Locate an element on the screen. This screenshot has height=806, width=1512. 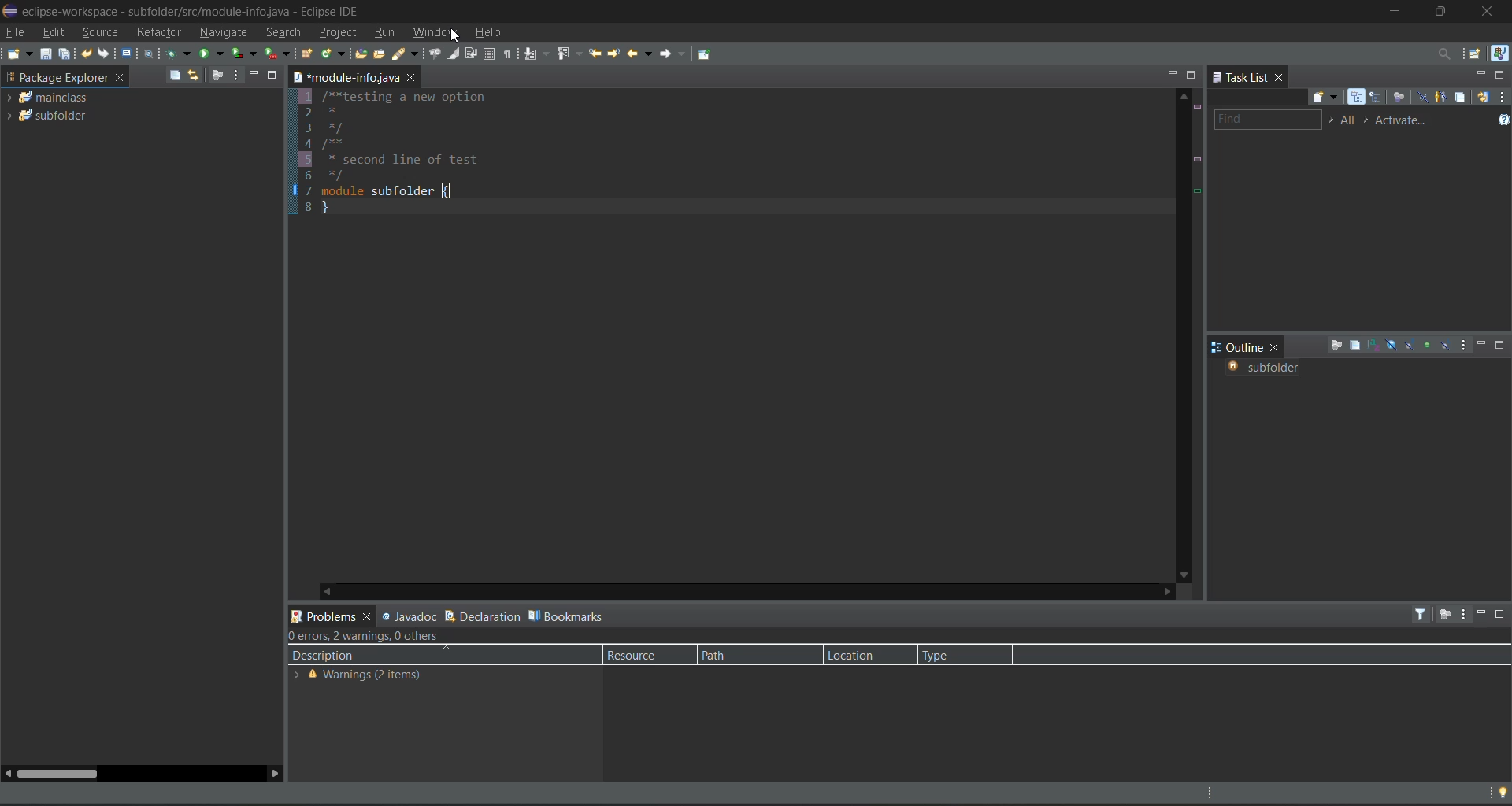
search is located at coordinates (287, 33).